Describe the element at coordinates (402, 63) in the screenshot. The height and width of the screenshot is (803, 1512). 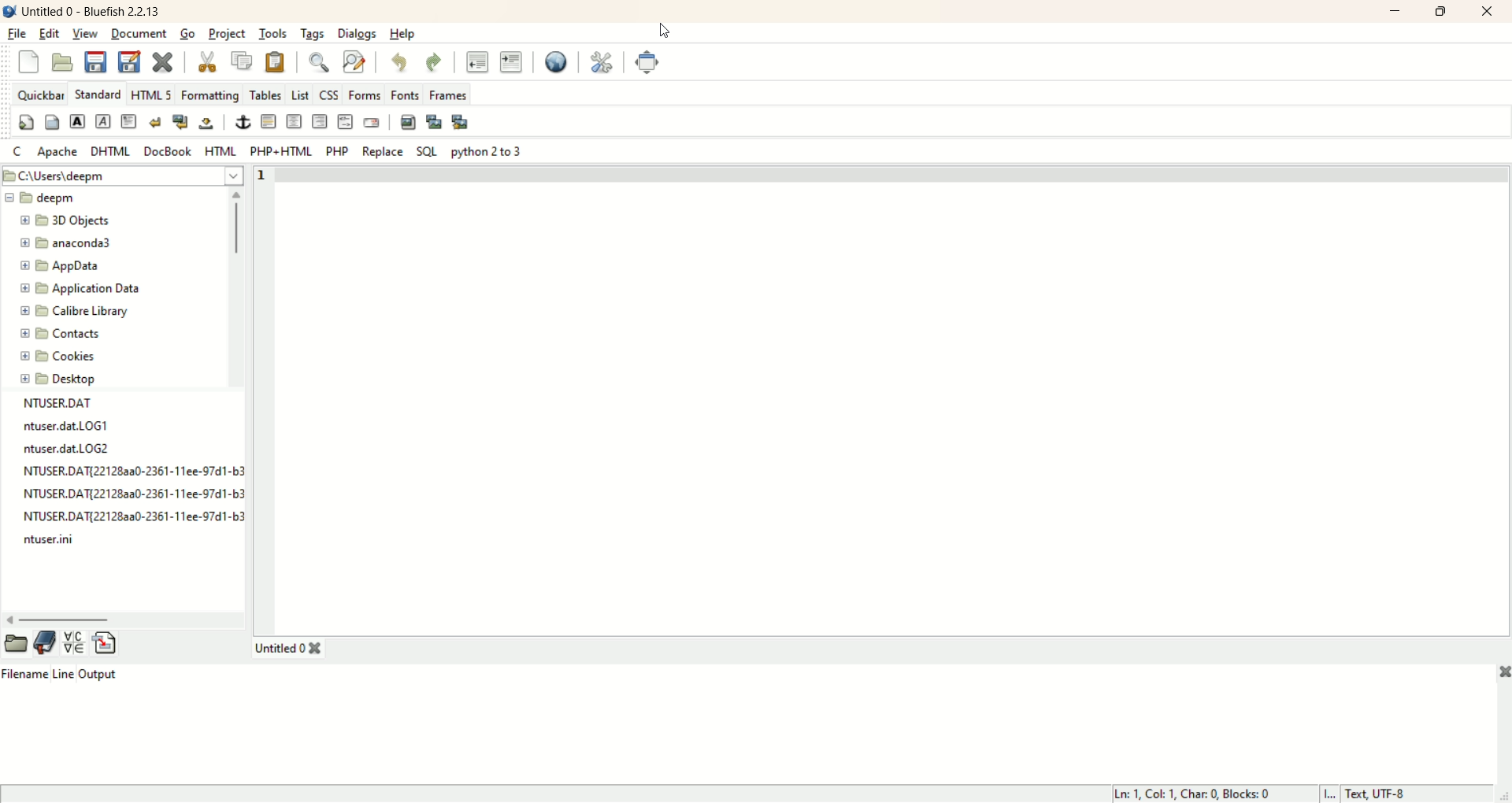
I see `undo` at that location.